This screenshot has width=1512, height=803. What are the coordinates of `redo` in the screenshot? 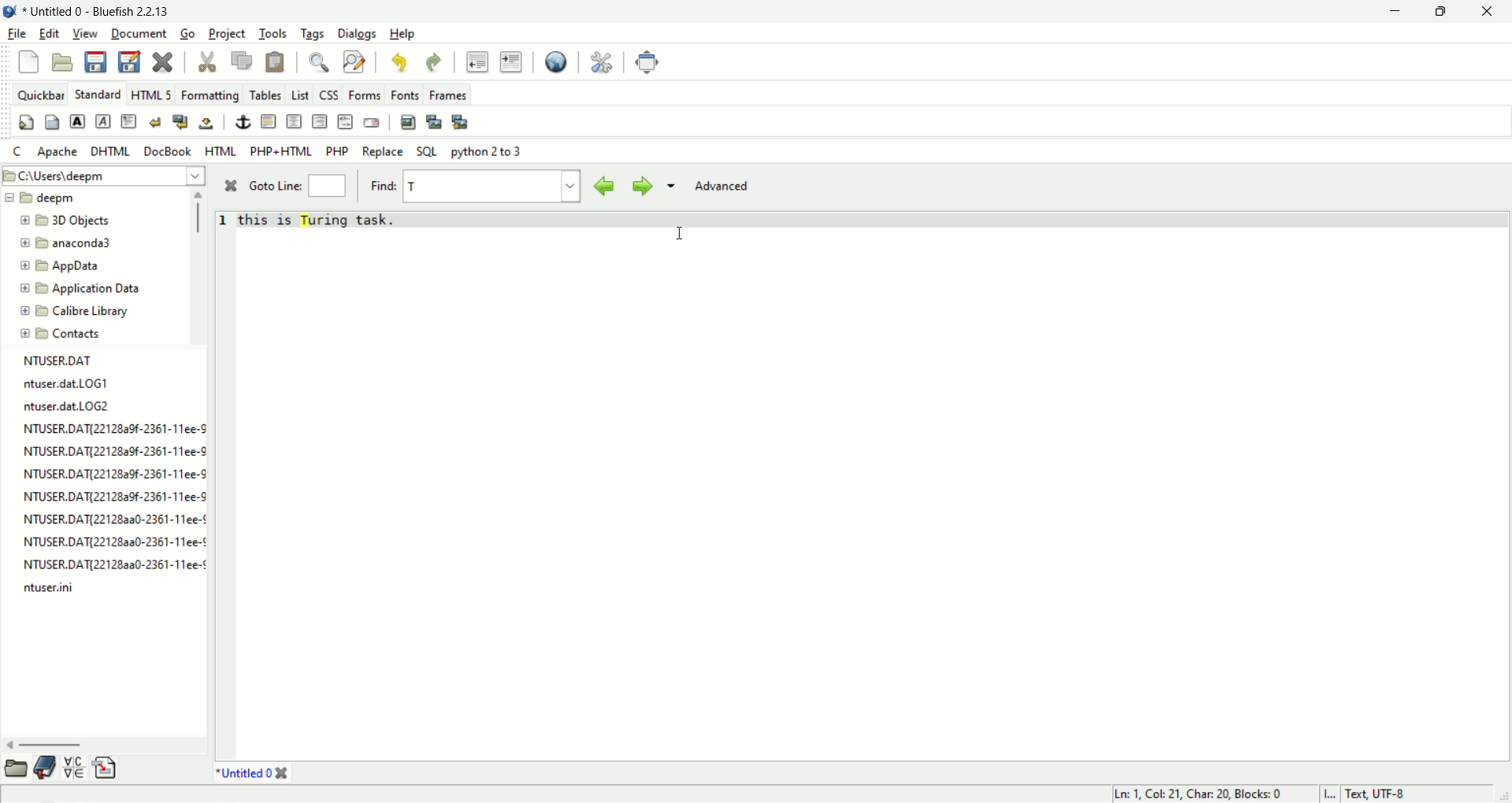 It's located at (431, 61).